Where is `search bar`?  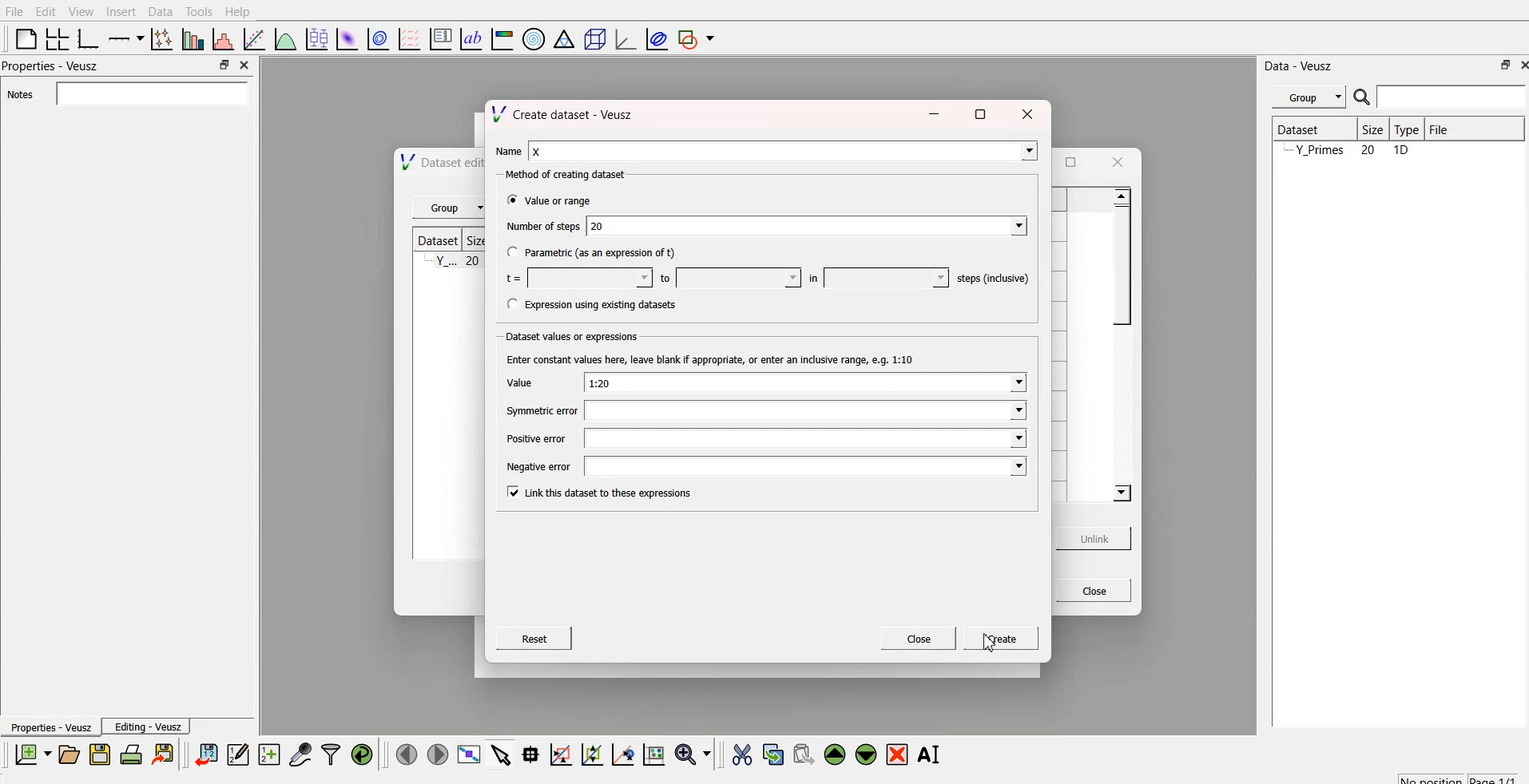 search bar is located at coordinates (1452, 97).